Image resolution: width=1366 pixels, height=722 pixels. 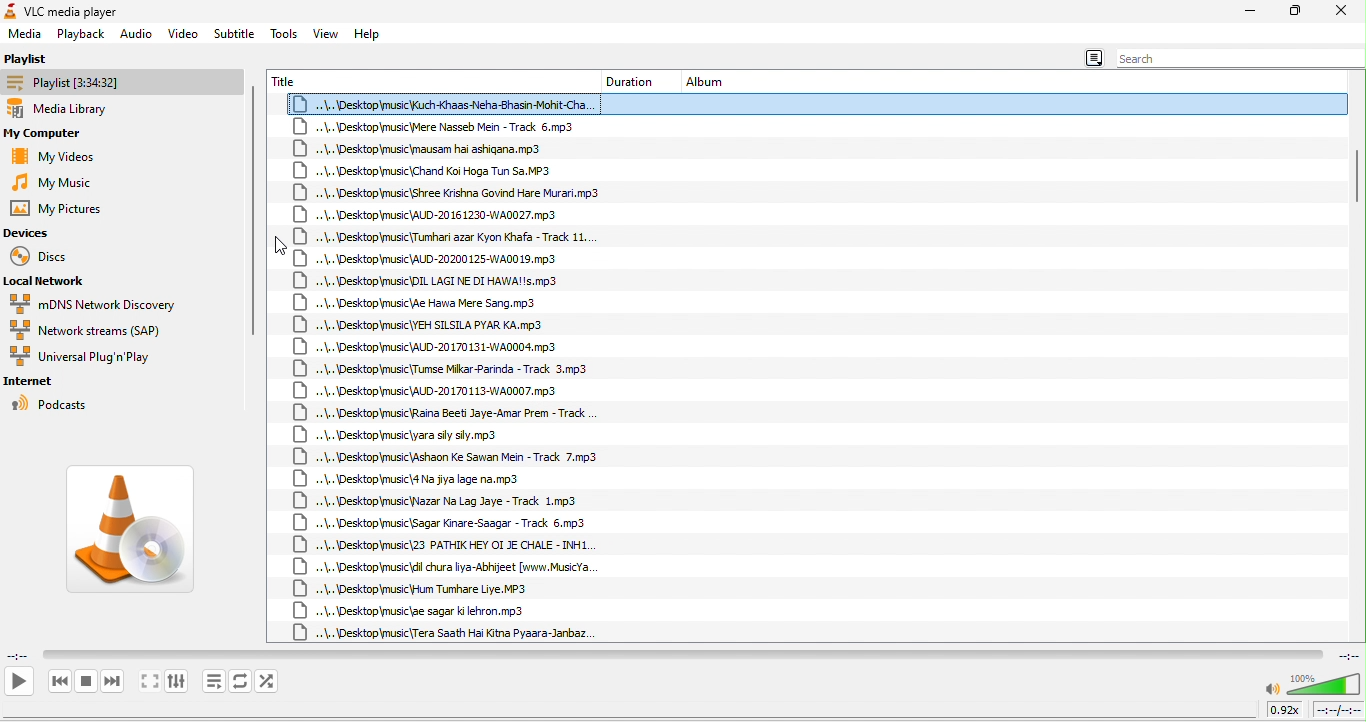 I want to click on stop playback, so click(x=87, y=681).